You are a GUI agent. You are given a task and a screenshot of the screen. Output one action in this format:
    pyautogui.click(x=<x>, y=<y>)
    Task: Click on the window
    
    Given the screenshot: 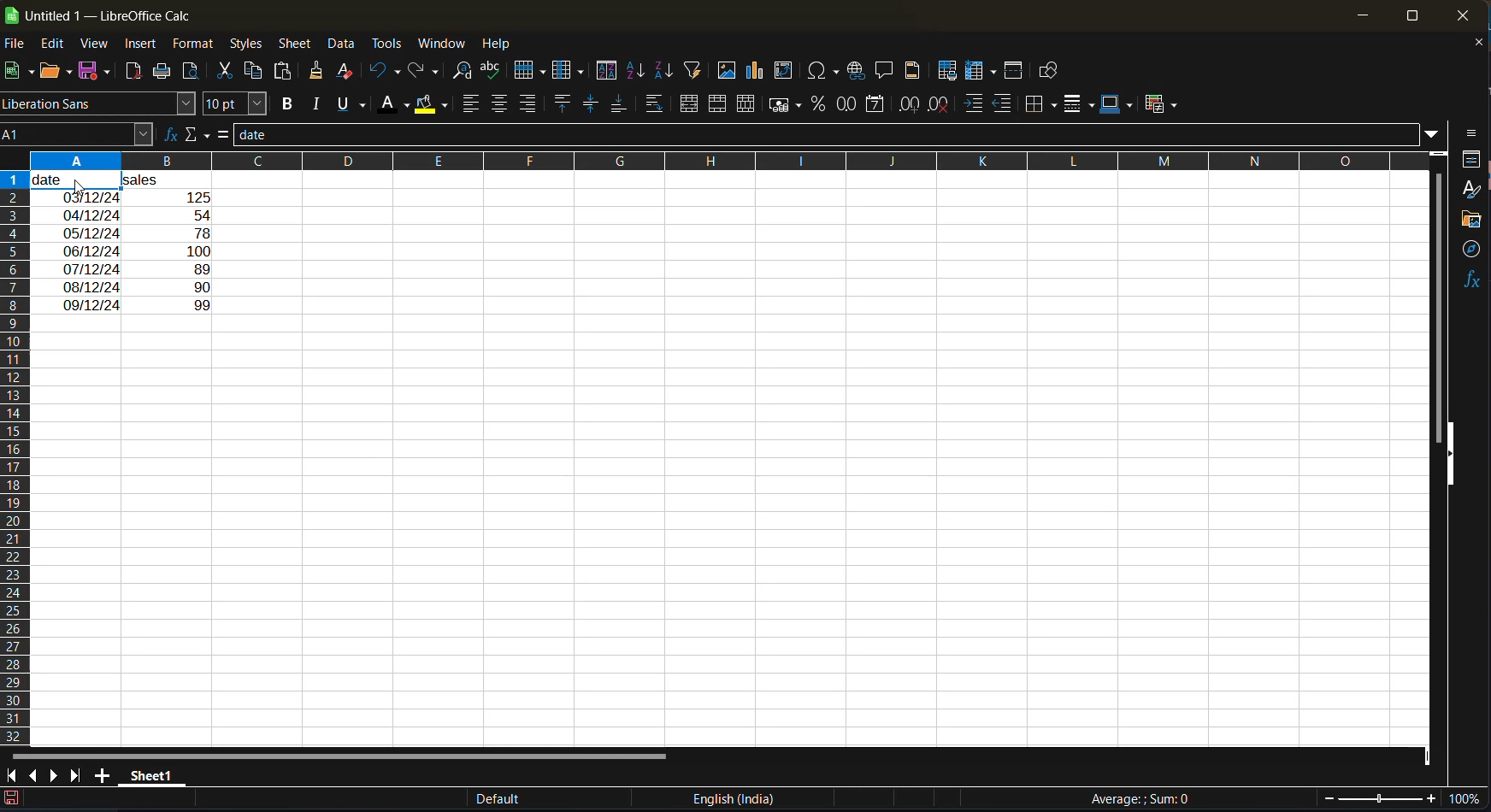 What is the action you would take?
    pyautogui.click(x=442, y=45)
    